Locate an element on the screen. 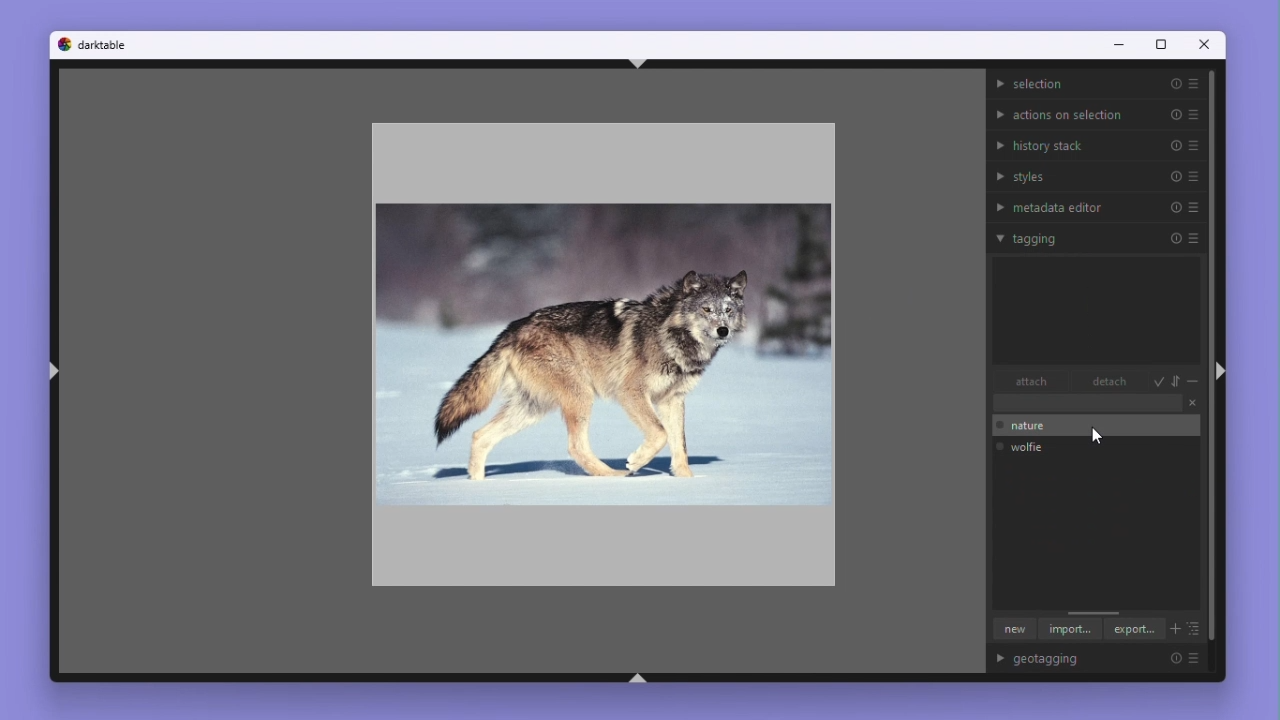 This screenshot has width=1280, height=720. Detach is located at coordinates (1104, 383).